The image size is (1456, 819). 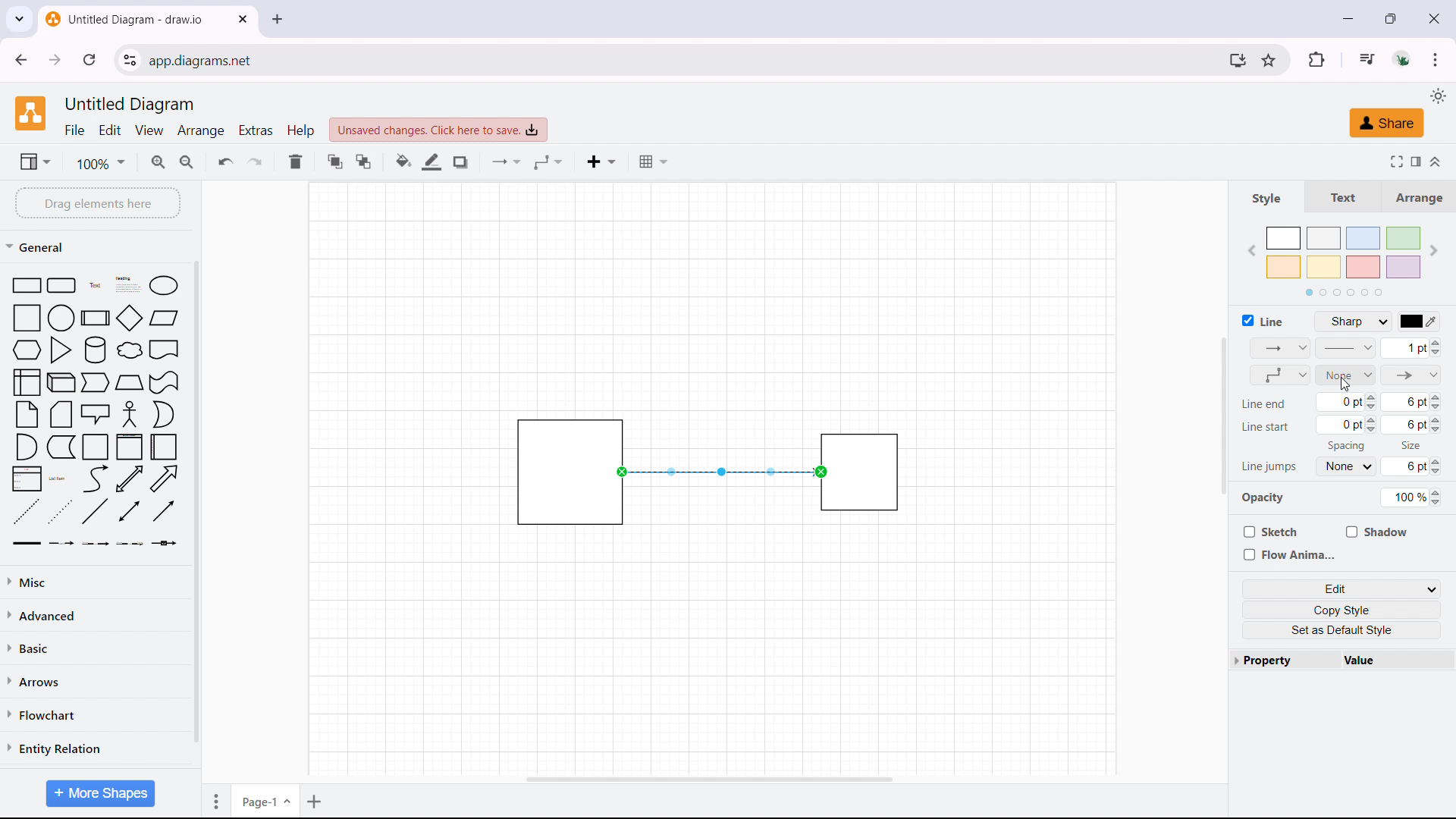 I want to click on move, so click(x=213, y=800).